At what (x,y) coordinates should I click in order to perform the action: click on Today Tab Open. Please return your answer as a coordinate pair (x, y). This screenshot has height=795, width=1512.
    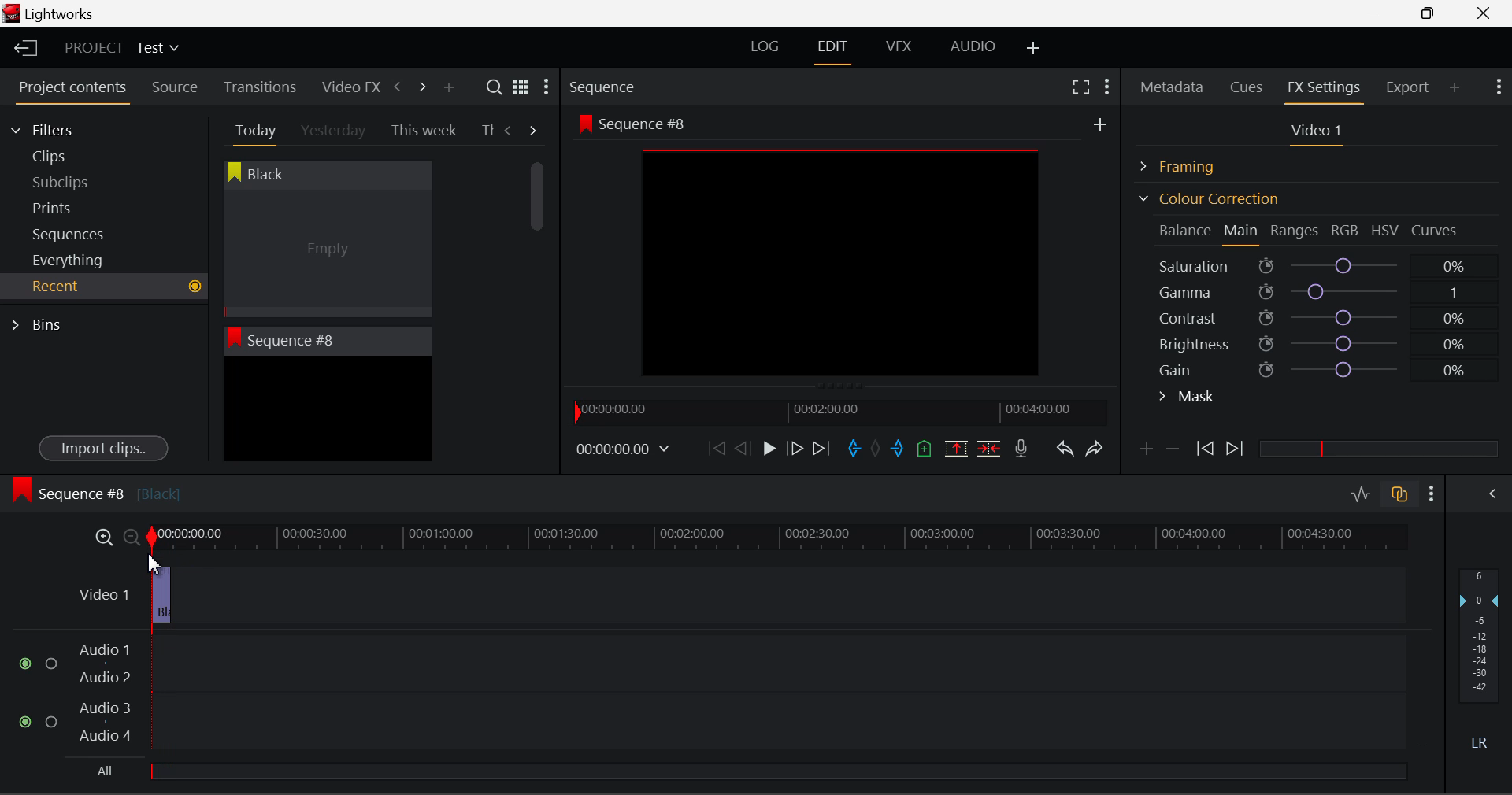
    Looking at the image, I should click on (252, 130).